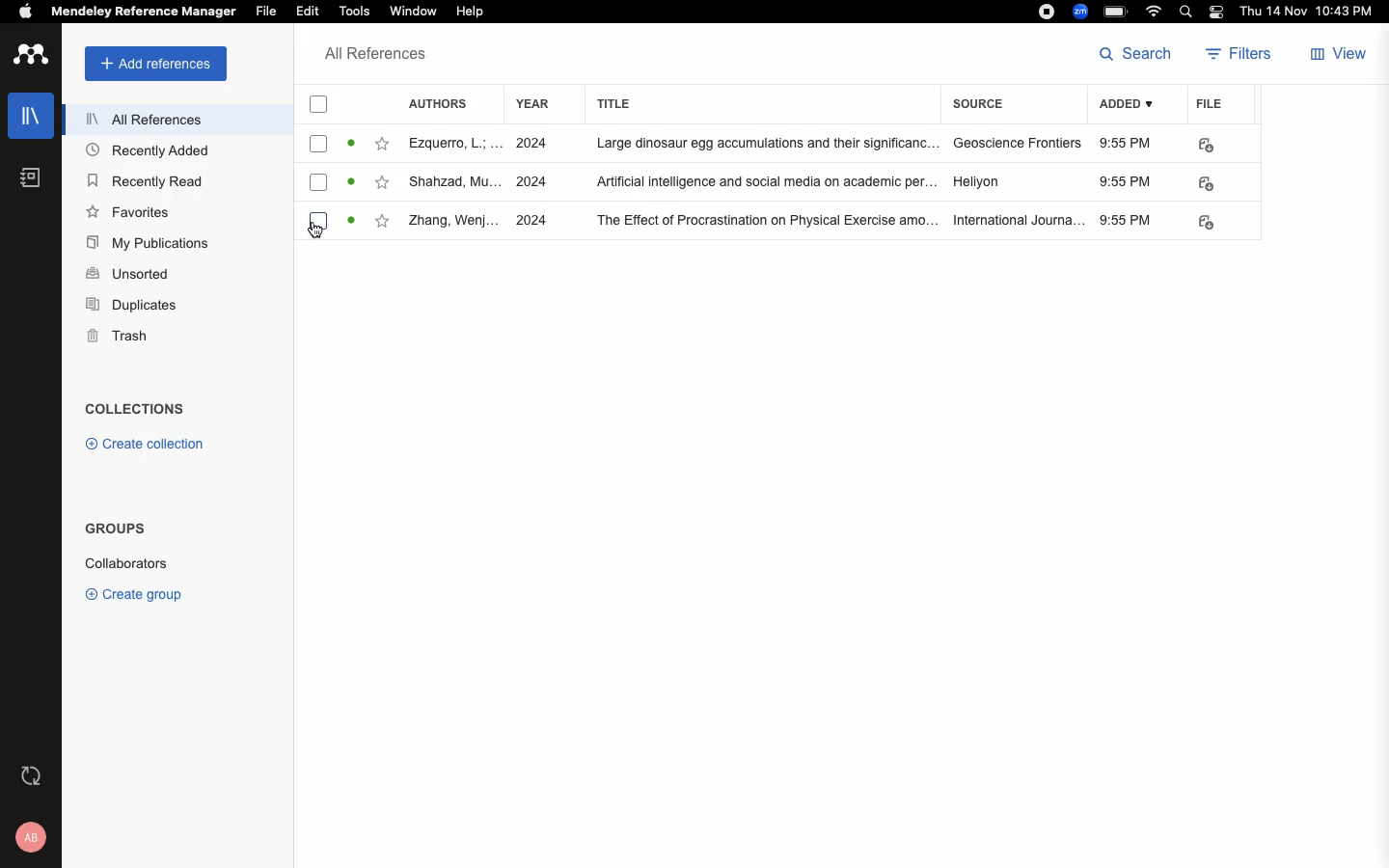 Image resolution: width=1389 pixels, height=868 pixels. What do you see at coordinates (984, 106) in the screenshot?
I see `Source` at bounding box center [984, 106].